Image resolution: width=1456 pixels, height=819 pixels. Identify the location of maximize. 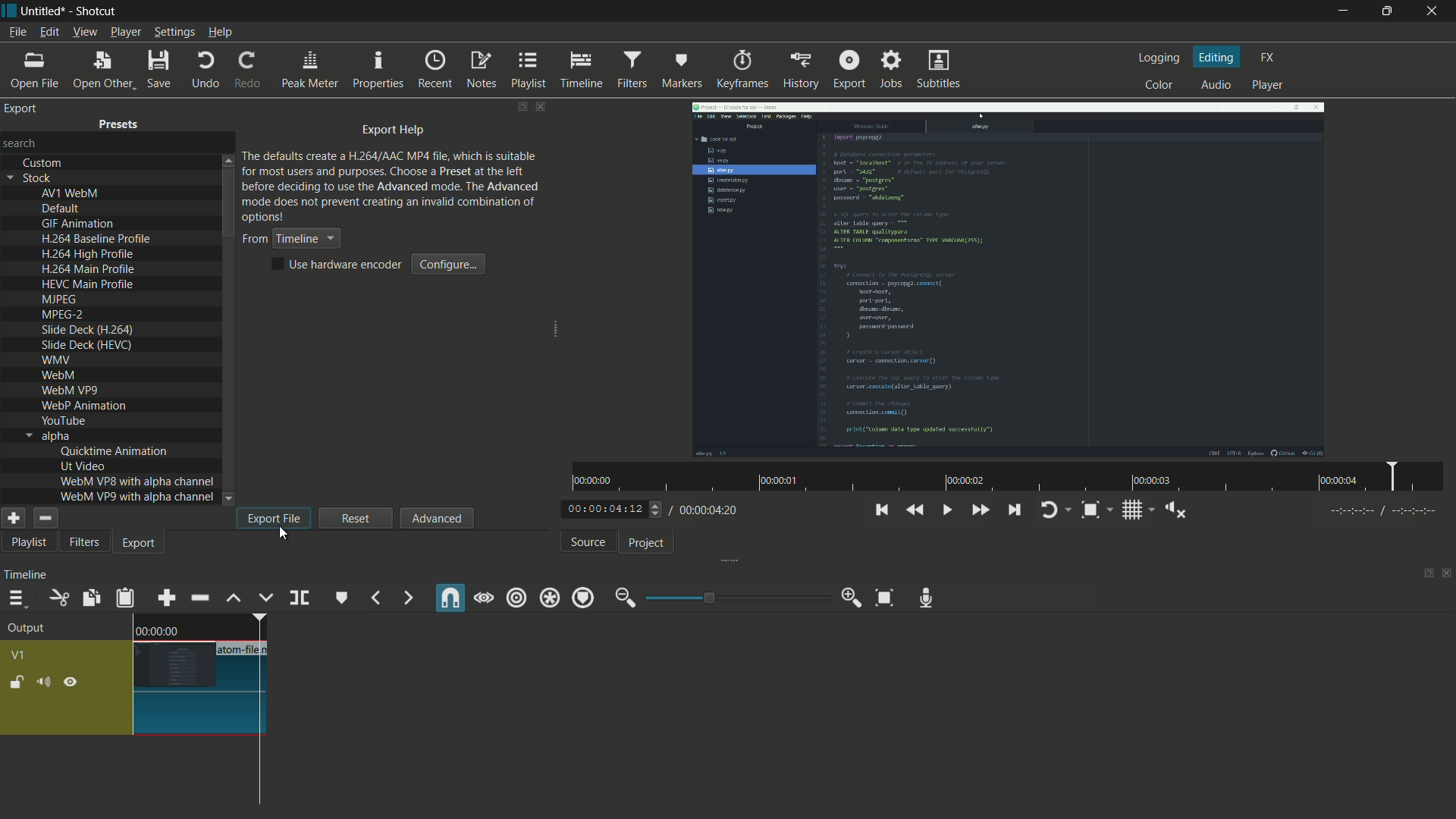
(1389, 11).